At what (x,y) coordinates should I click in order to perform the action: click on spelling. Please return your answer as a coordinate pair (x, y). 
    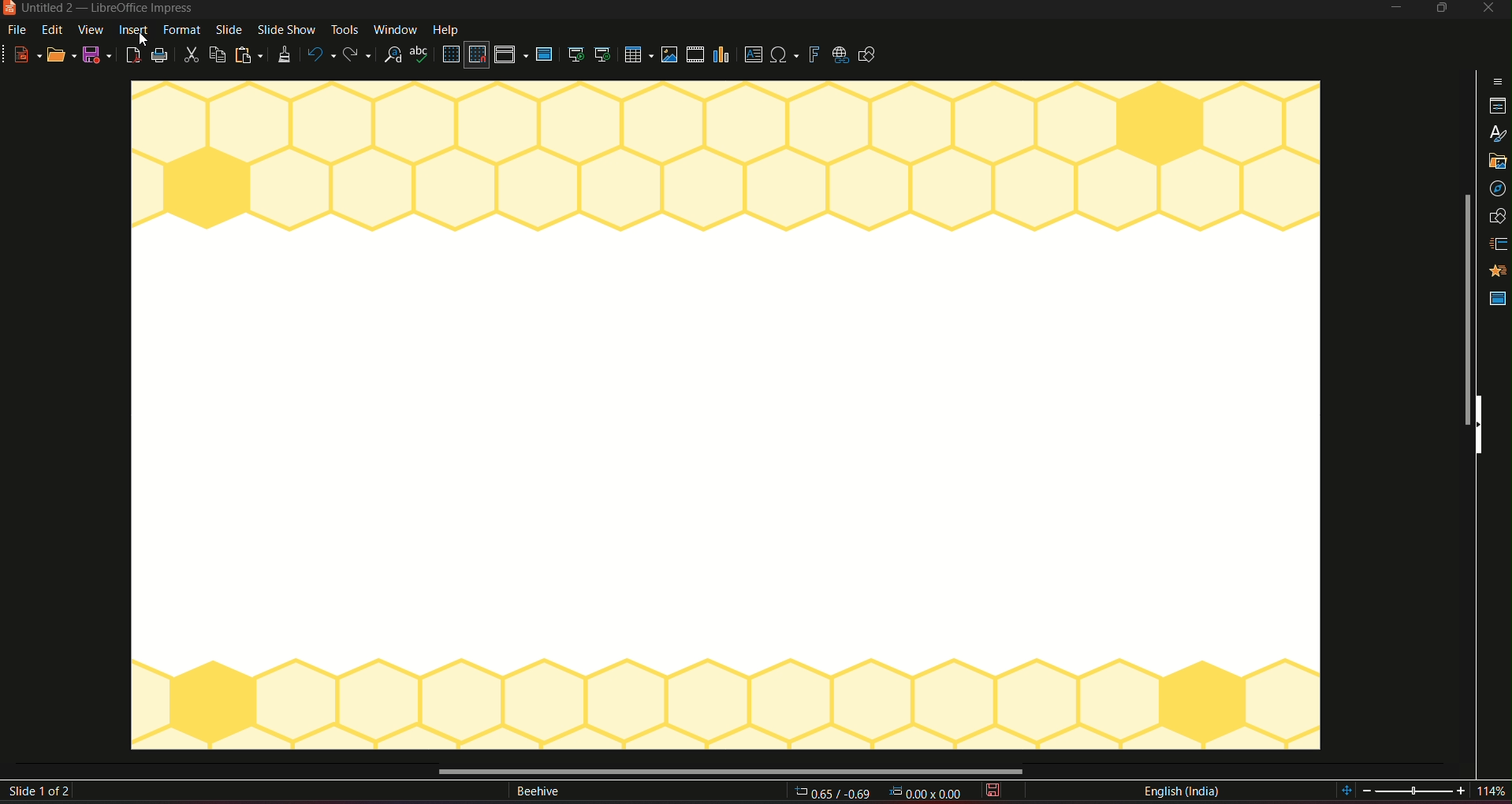
    Looking at the image, I should click on (420, 56).